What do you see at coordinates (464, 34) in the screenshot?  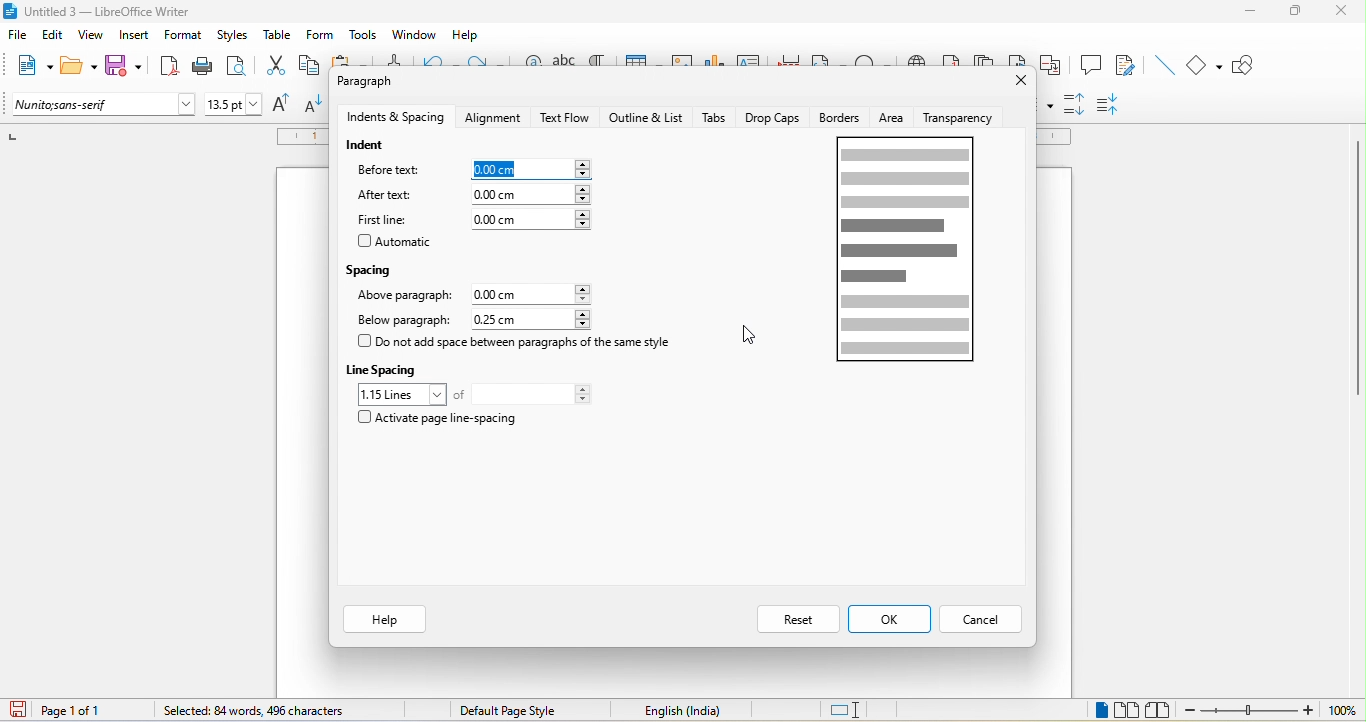 I see `help` at bounding box center [464, 34].